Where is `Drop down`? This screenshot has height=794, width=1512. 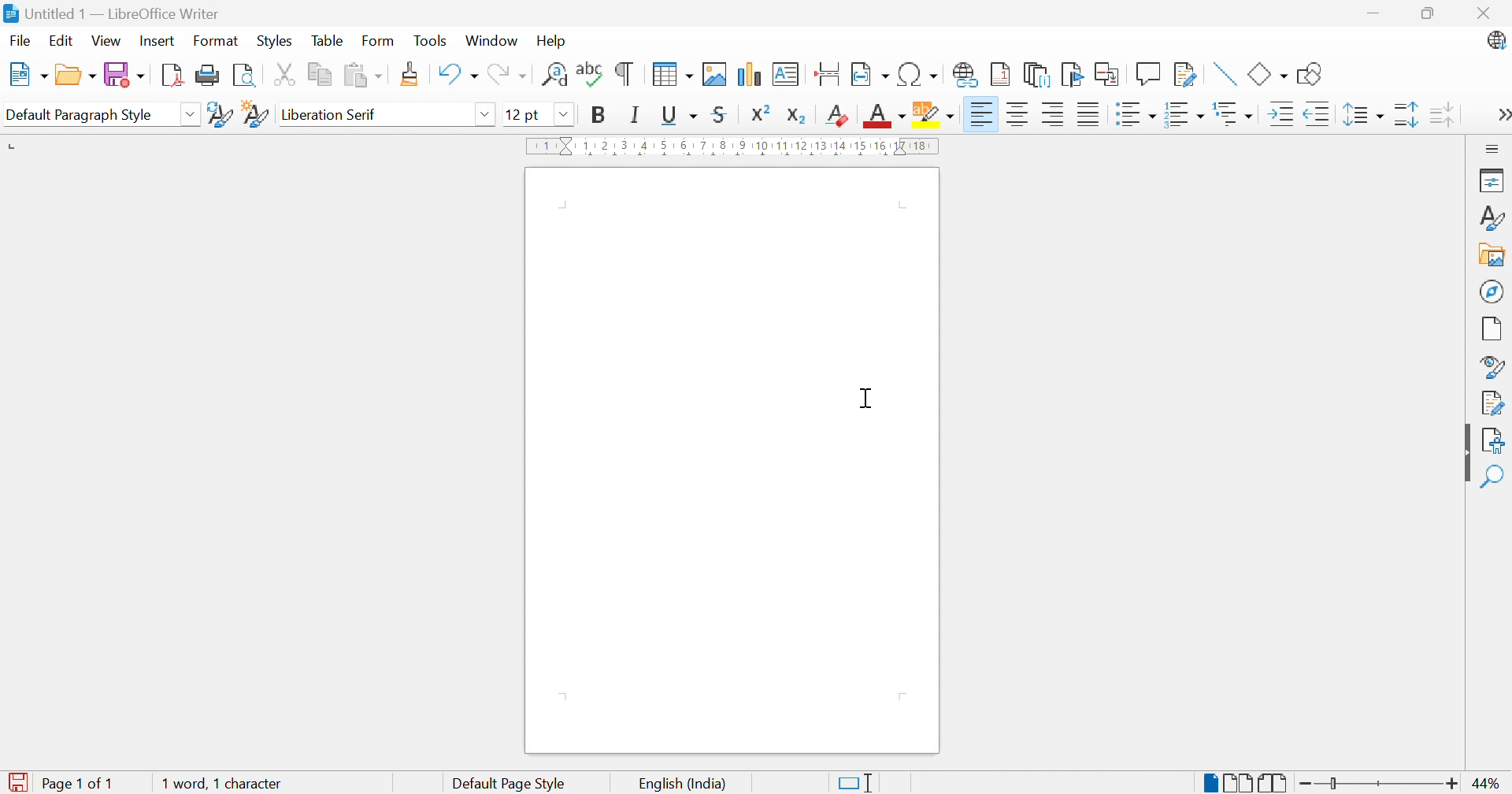 Drop down is located at coordinates (568, 116).